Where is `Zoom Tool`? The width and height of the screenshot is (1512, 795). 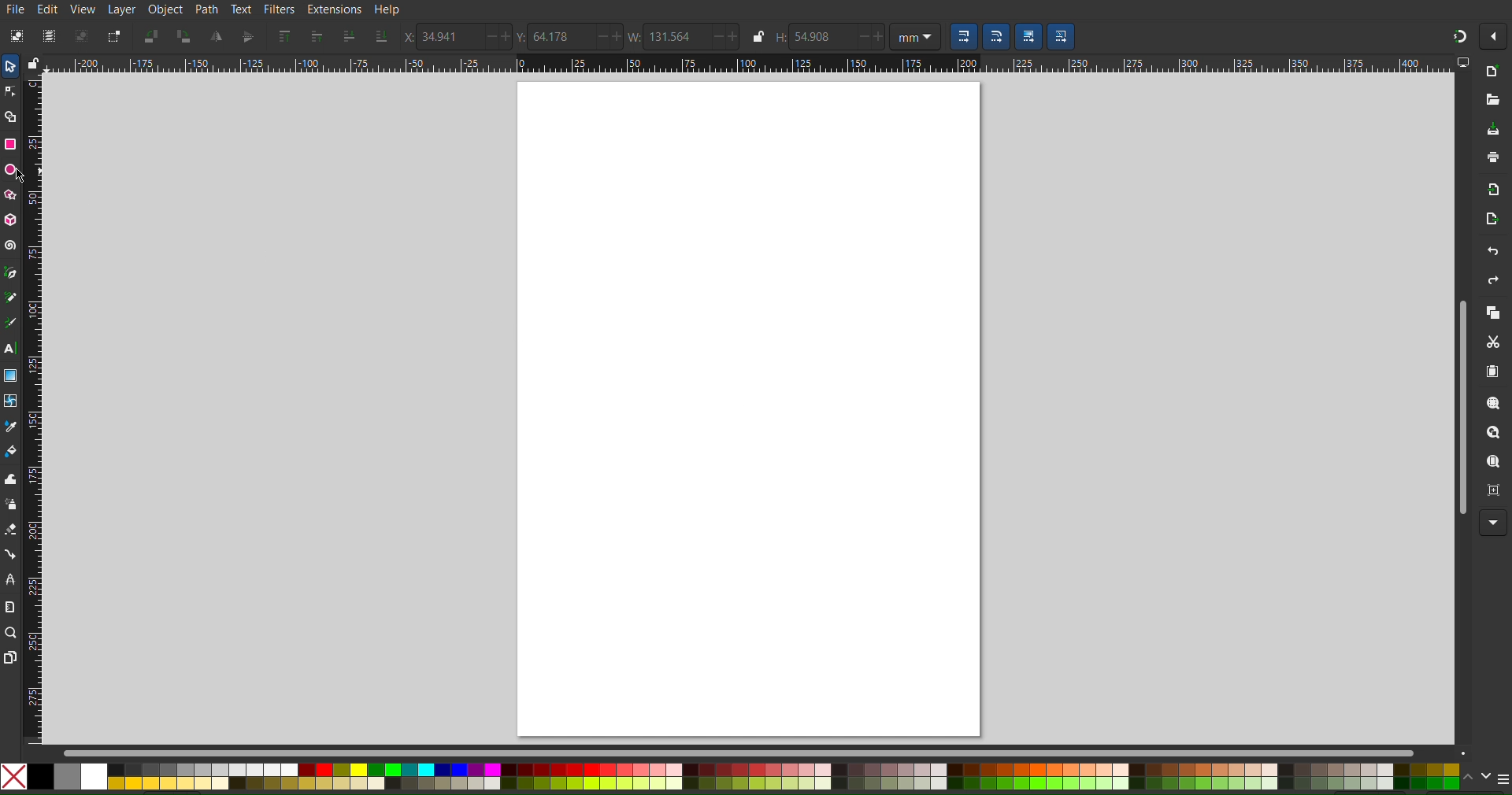
Zoom Tool is located at coordinates (9, 631).